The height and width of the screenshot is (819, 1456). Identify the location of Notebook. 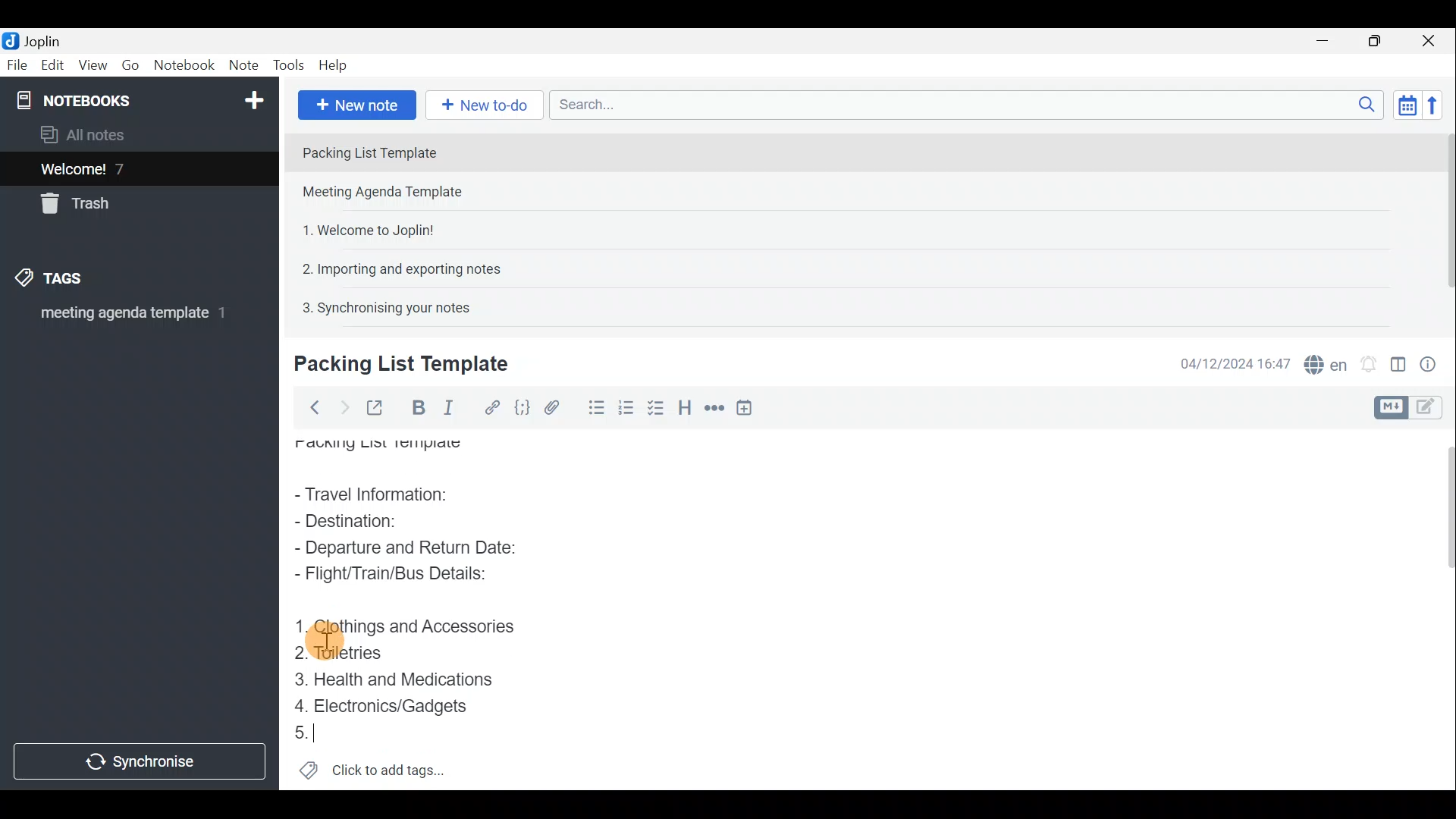
(137, 99).